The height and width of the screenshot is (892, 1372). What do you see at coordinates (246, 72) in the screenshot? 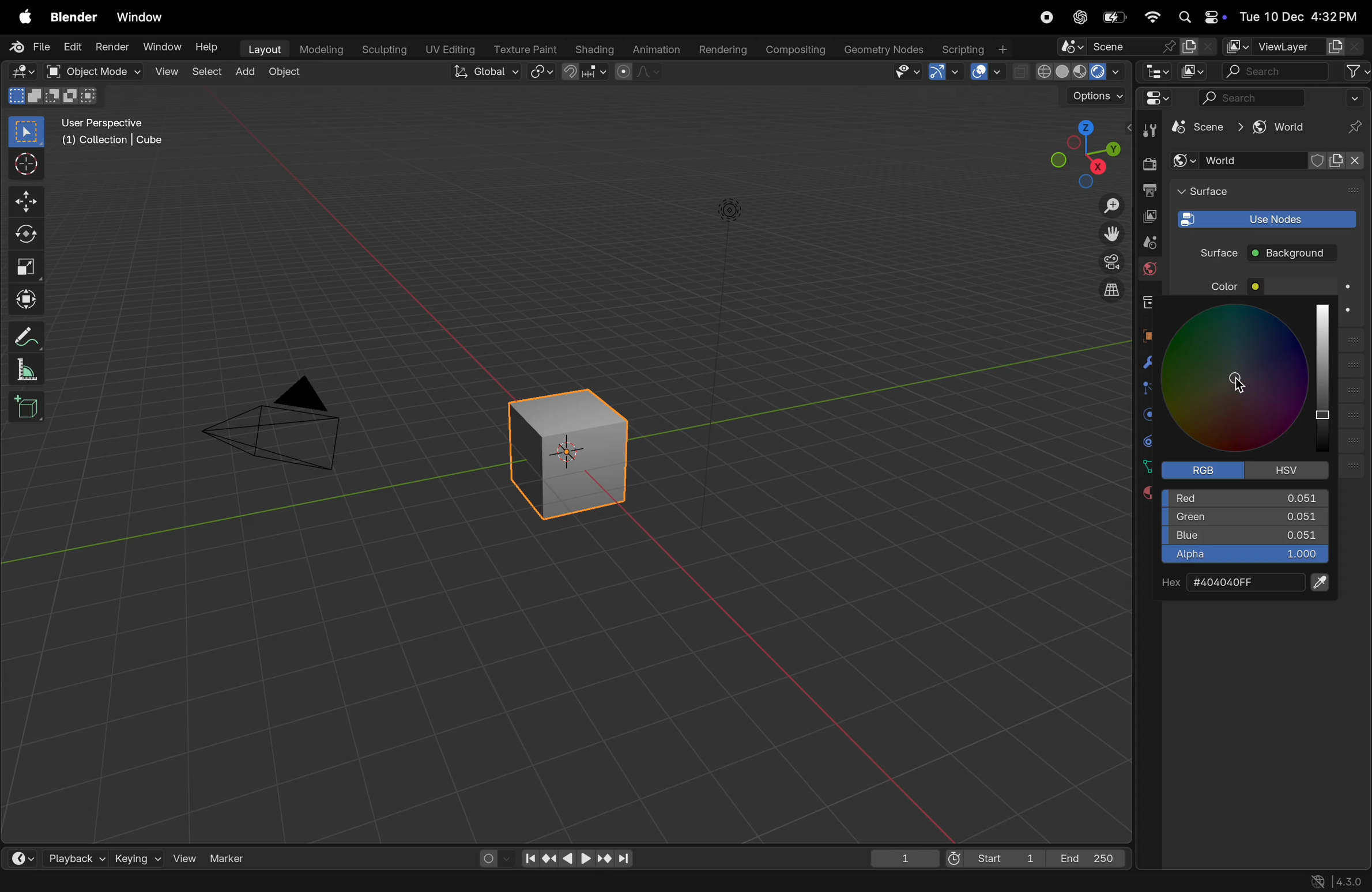
I see `` at bounding box center [246, 72].